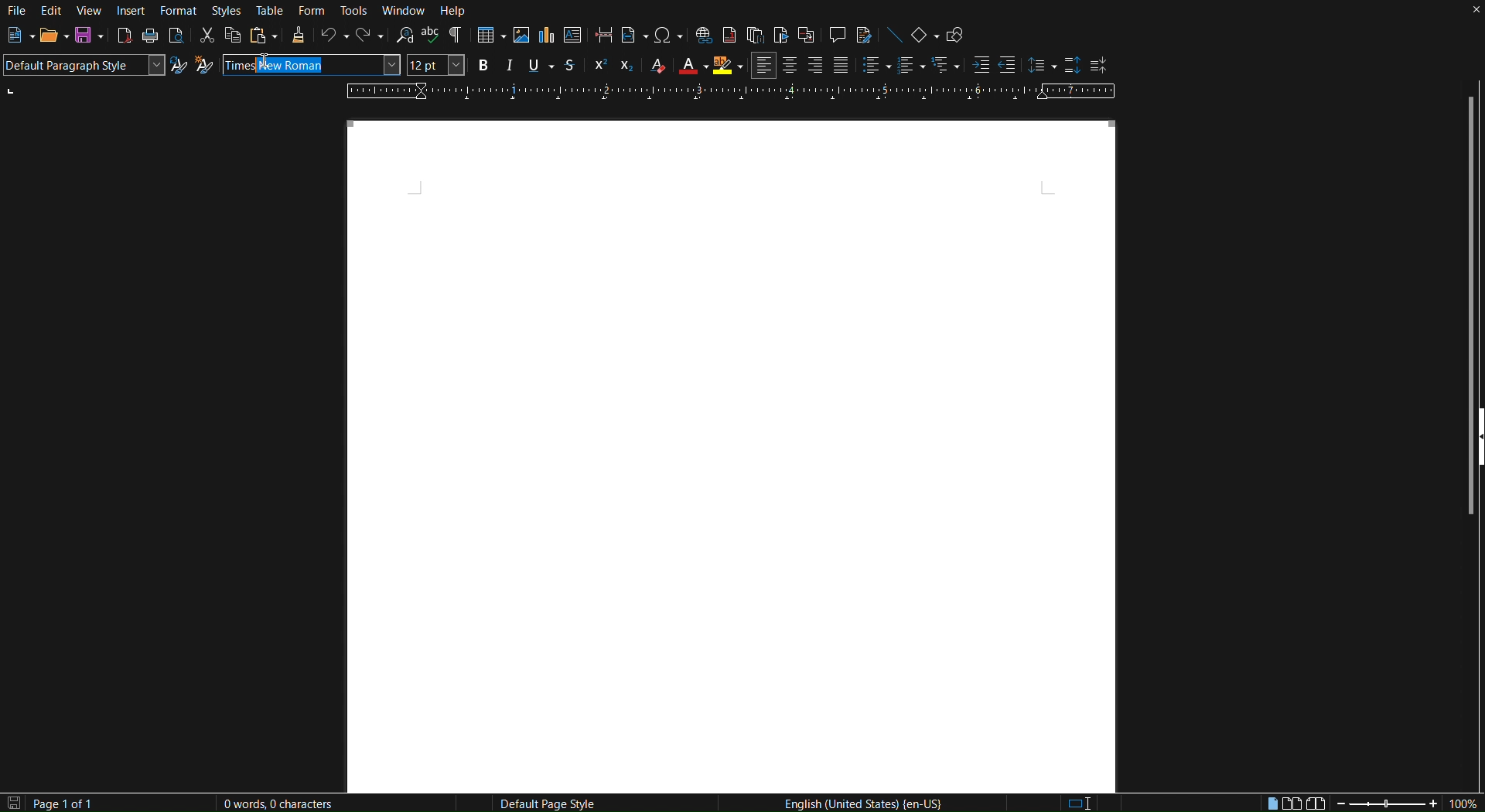 This screenshot has height=812, width=1485. Describe the element at coordinates (1293, 801) in the screenshot. I see `Multiple page view` at that location.